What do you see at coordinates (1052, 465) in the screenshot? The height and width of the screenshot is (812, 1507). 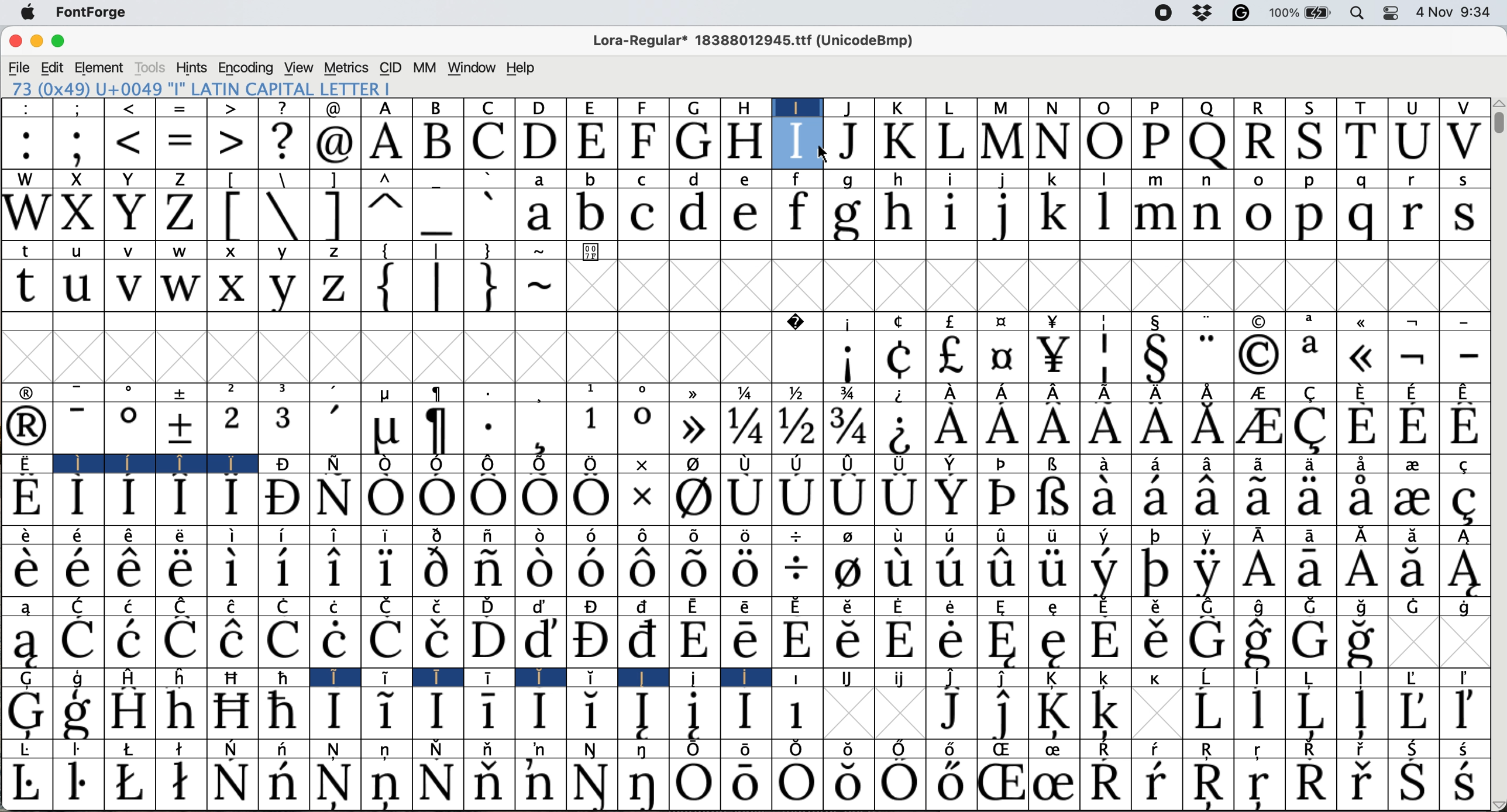 I see `symbol` at bounding box center [1052, 465].